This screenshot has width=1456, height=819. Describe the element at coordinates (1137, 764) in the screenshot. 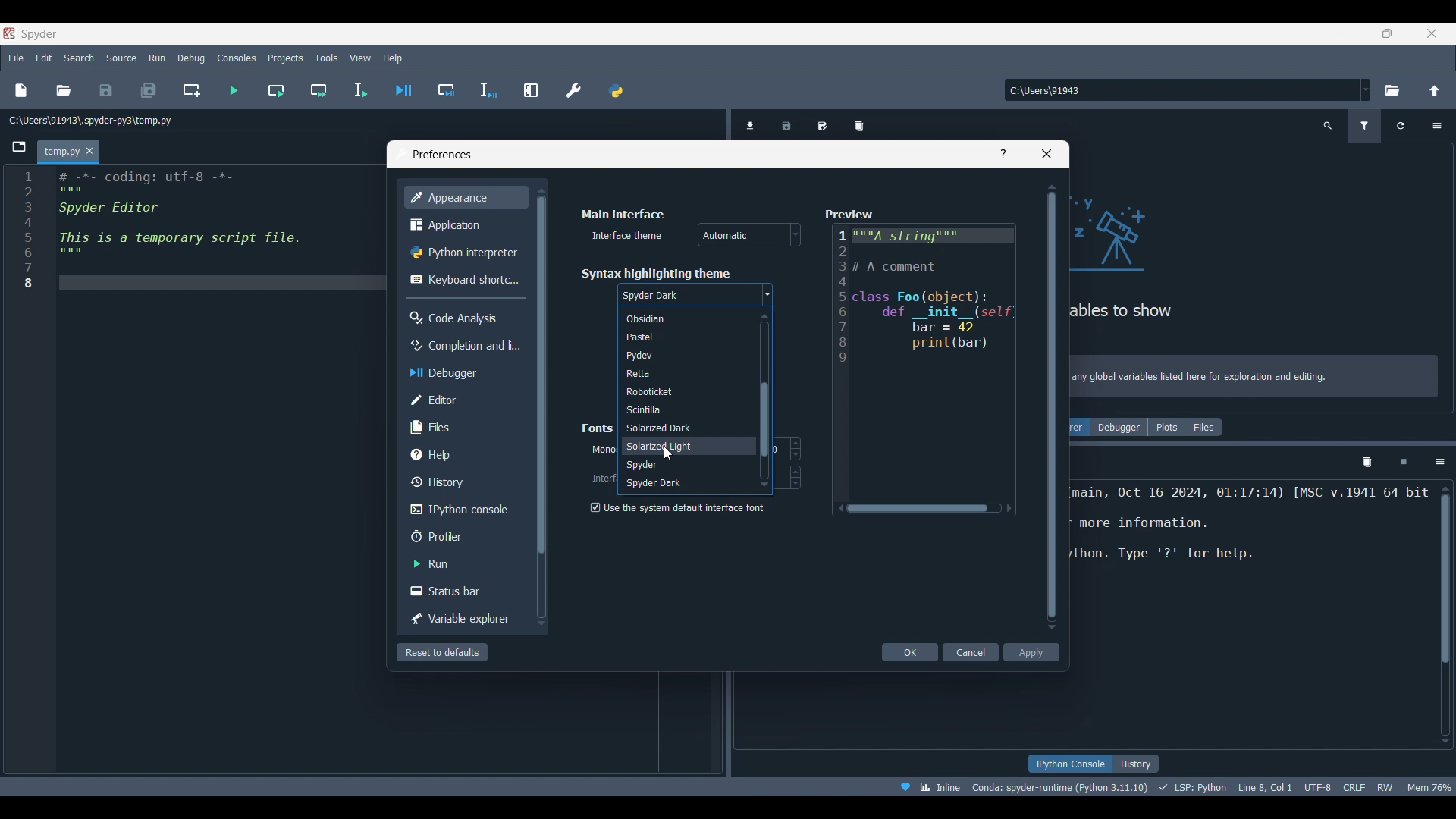

I see `History` at that location.